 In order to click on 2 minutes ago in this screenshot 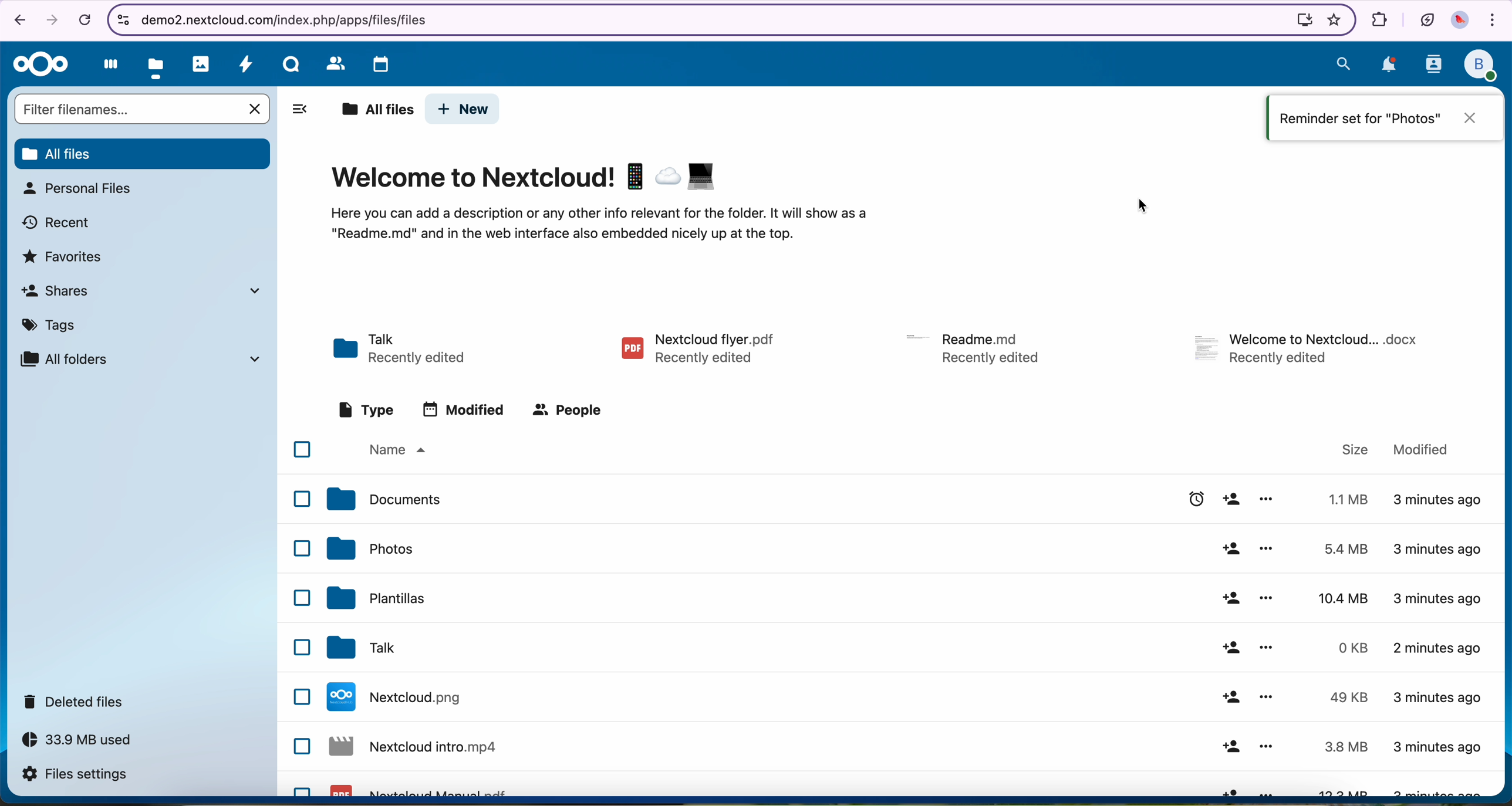, I will do `click(1440, 502)`.